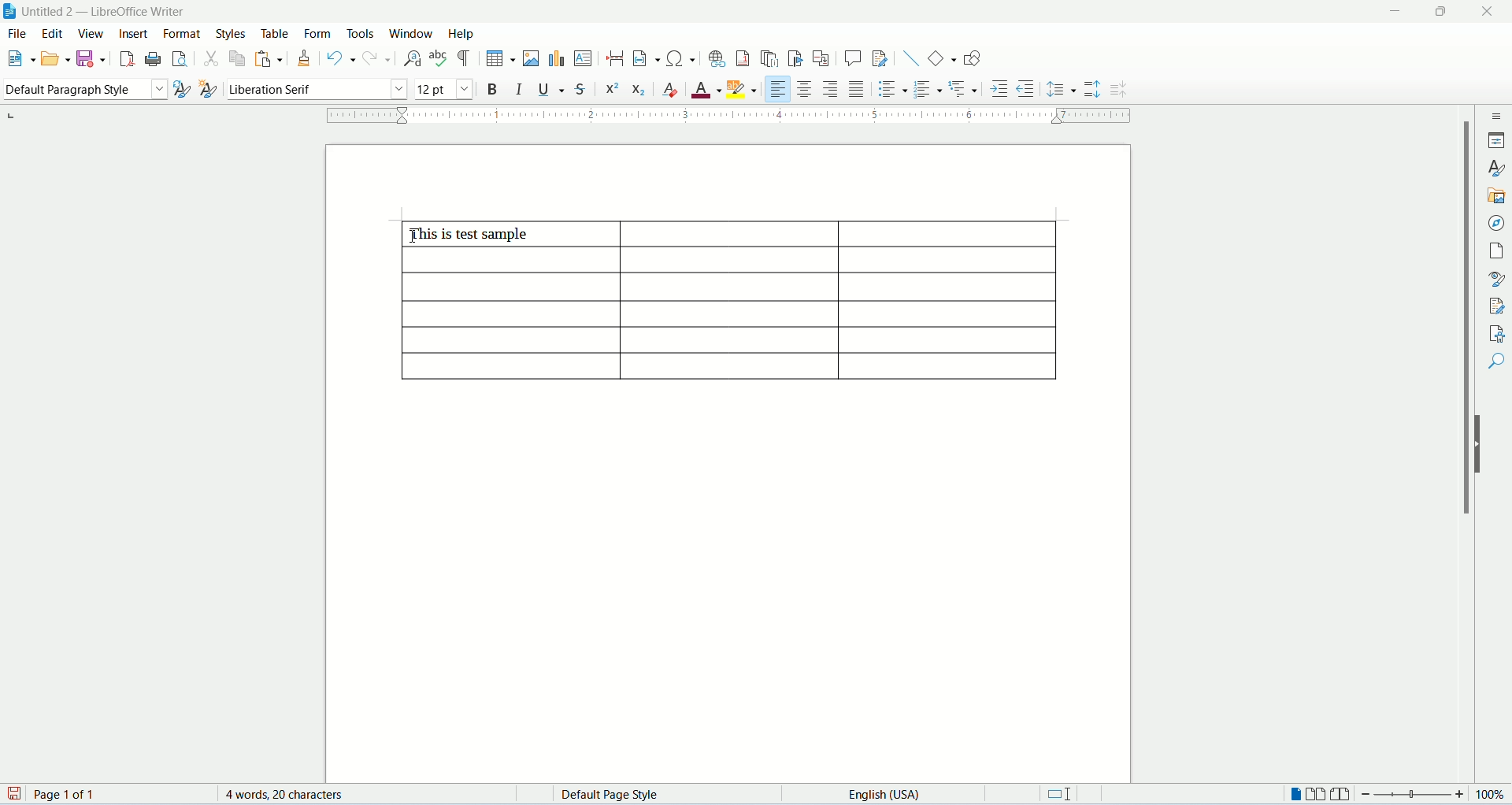  I want to click on format, so click(184, 33).